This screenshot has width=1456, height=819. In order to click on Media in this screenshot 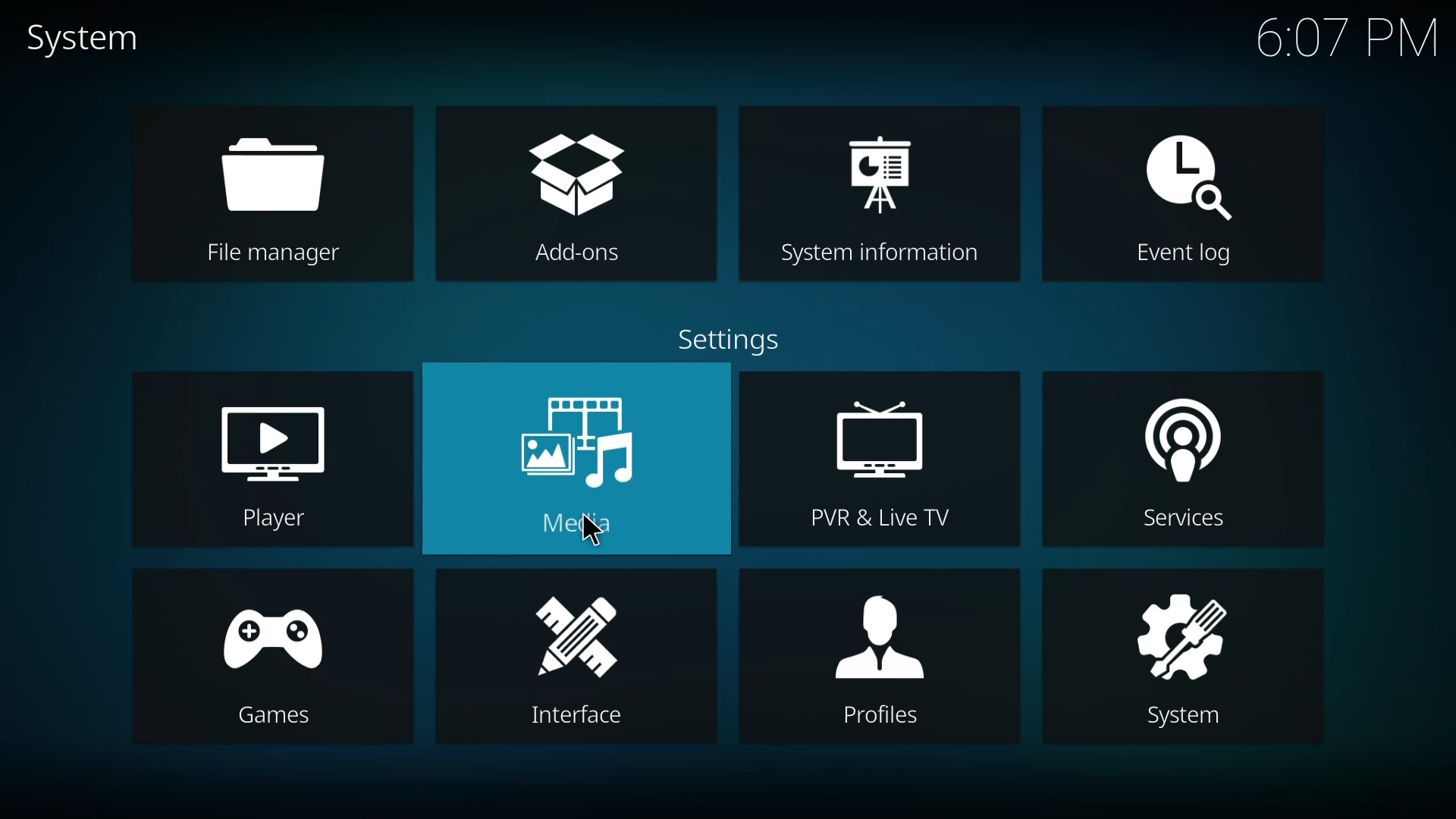, I will do `click(588, 528)`.